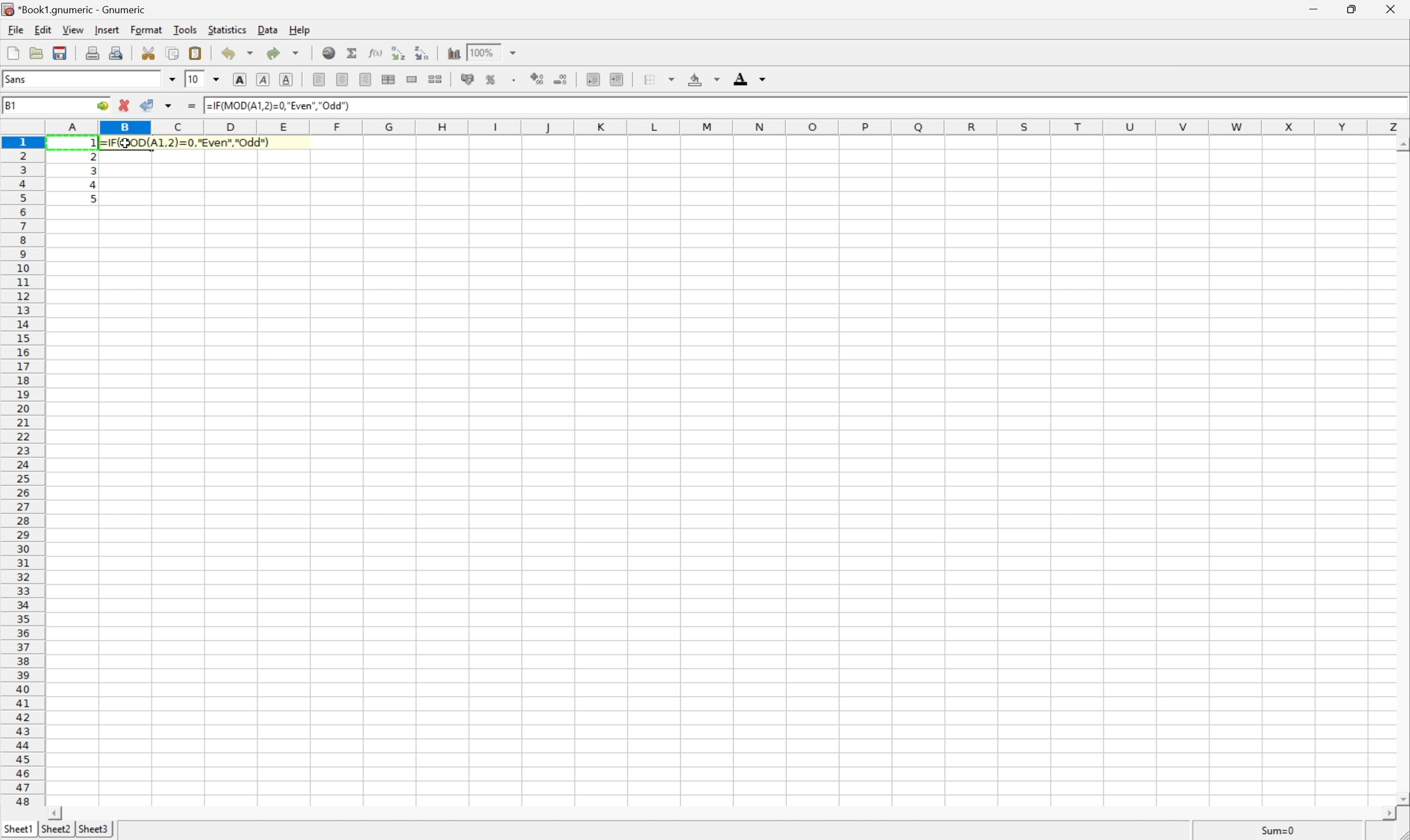  Describe the element at coordinates (751, 79) in the screenshot. I see `Foreground` at that location.